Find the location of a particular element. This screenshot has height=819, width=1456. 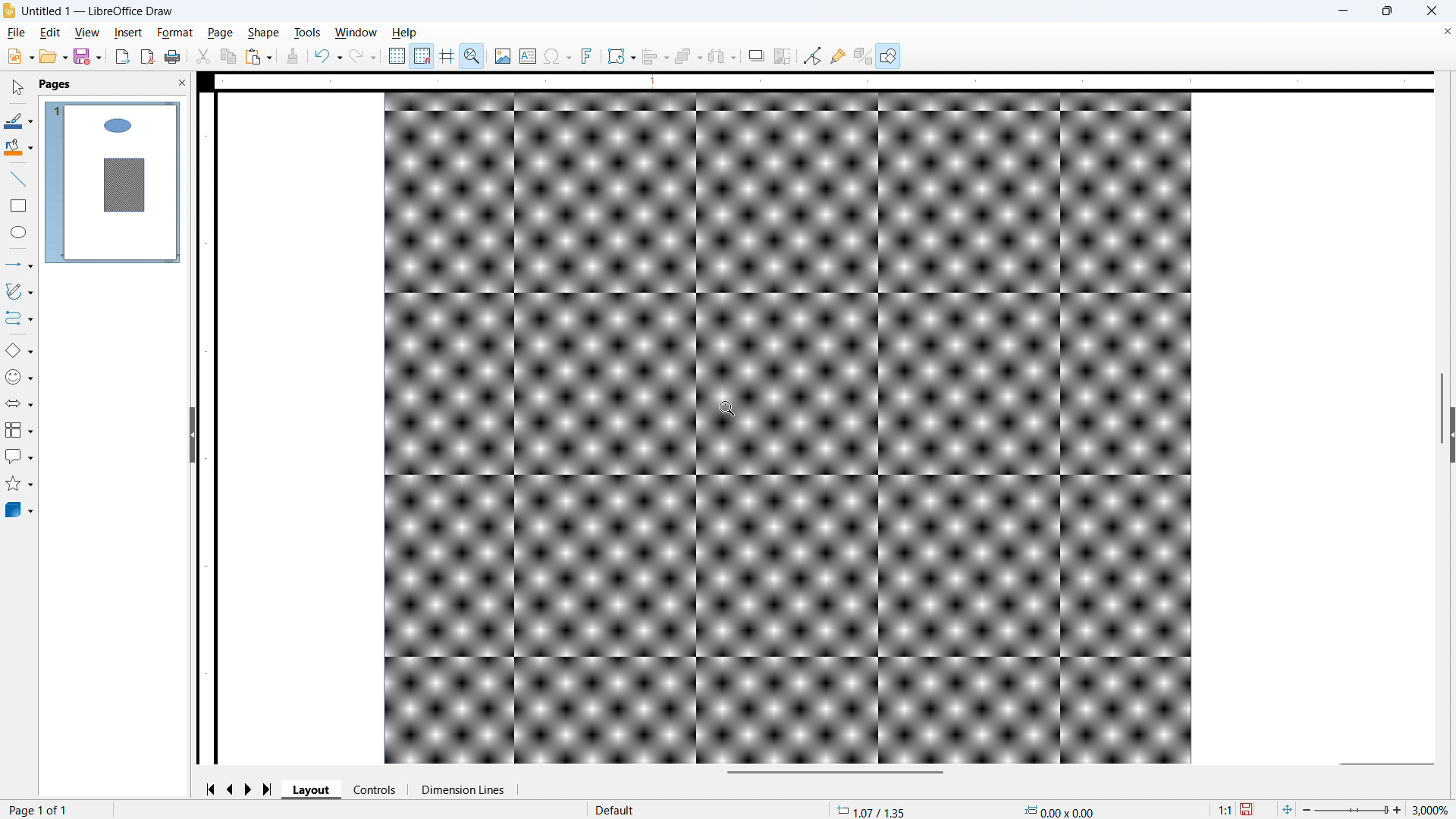

Help  is located at coordinates (405, 33).